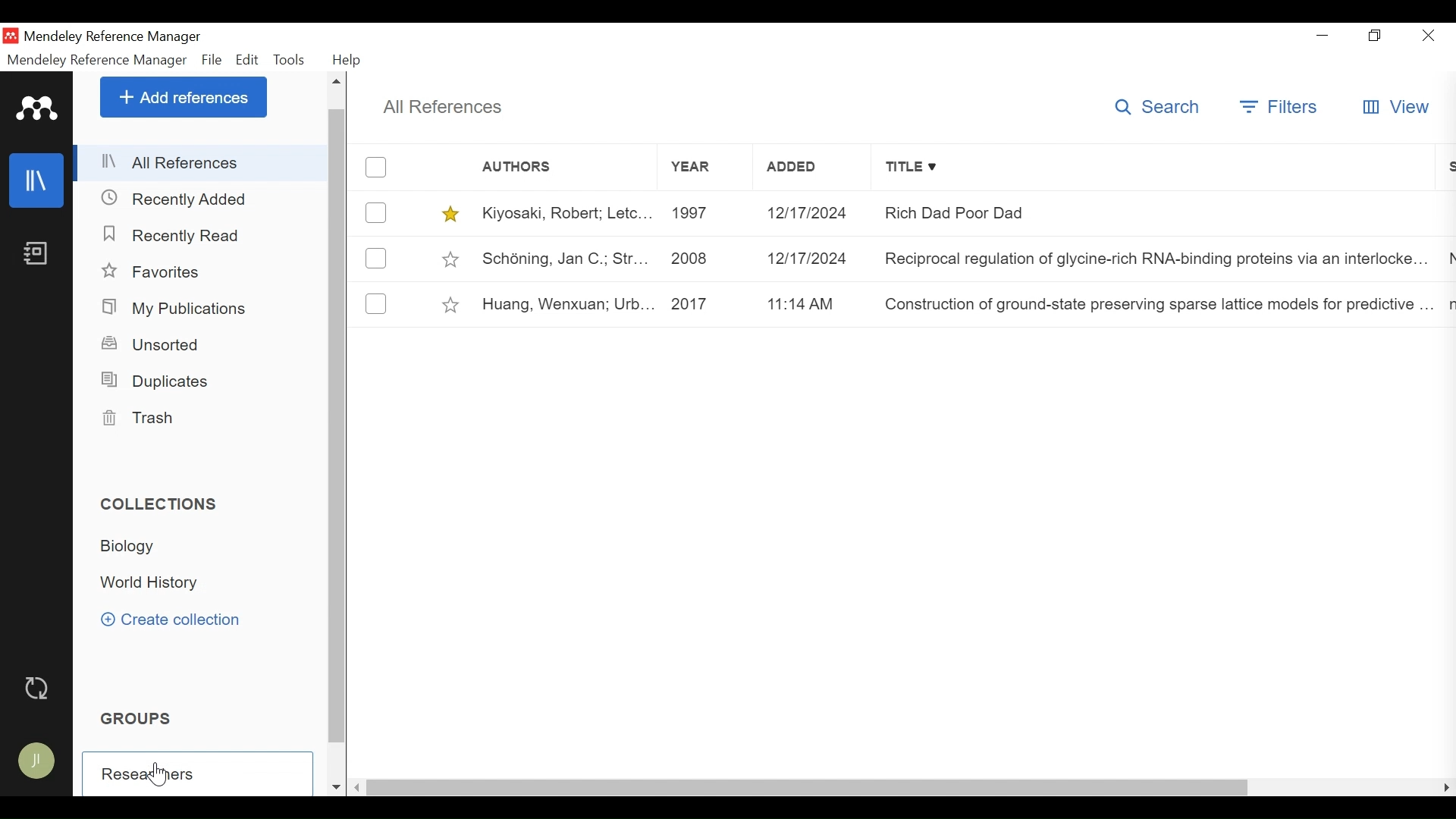 This screenshot has width=1456, height=819. What do you see at coordinates (376, 212) in the screenshot?
I see `(un)select` at bounding box center [376, 212].